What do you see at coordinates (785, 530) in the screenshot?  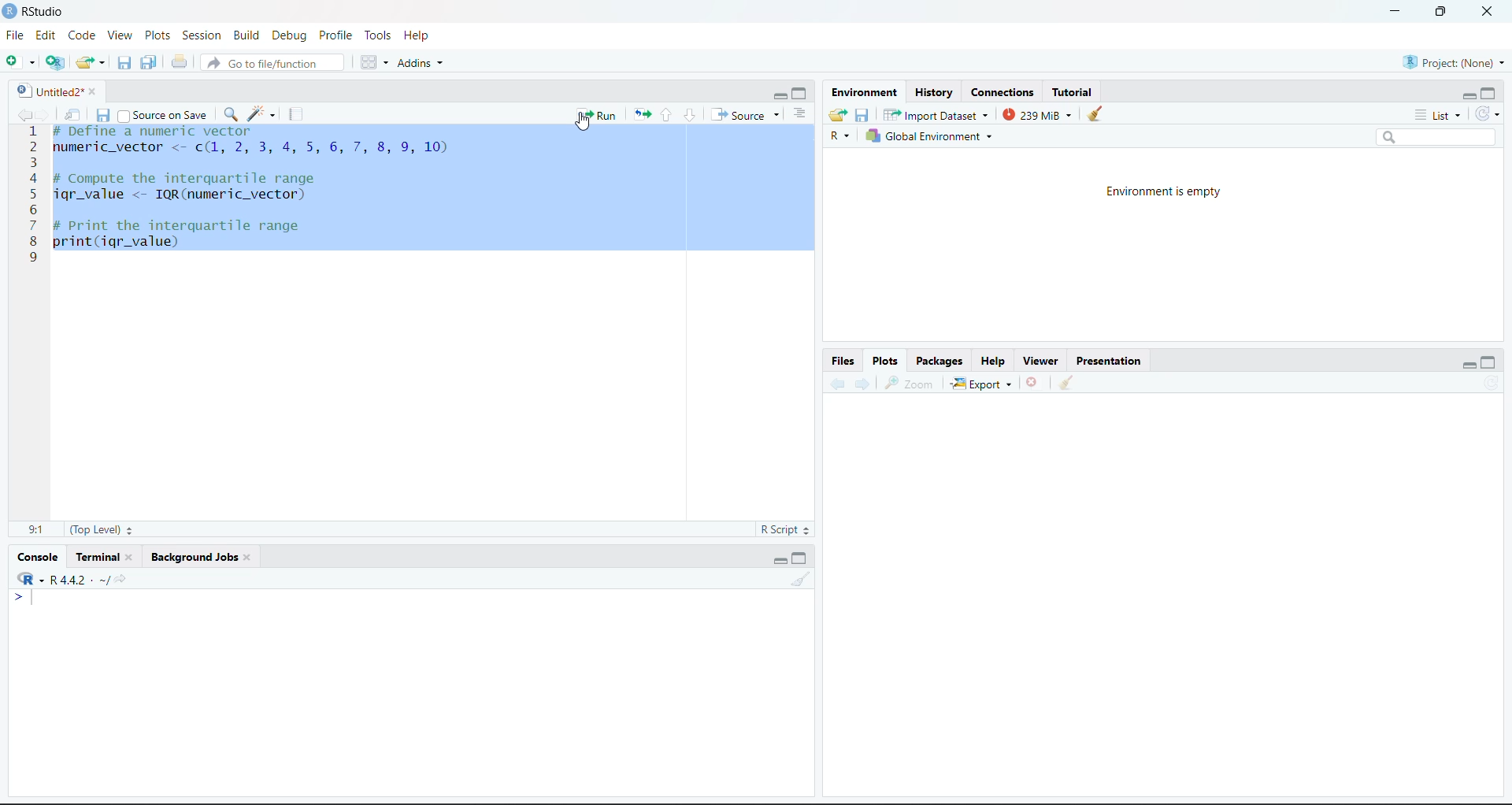 I see `R Script` at bounding box center [785, 530].